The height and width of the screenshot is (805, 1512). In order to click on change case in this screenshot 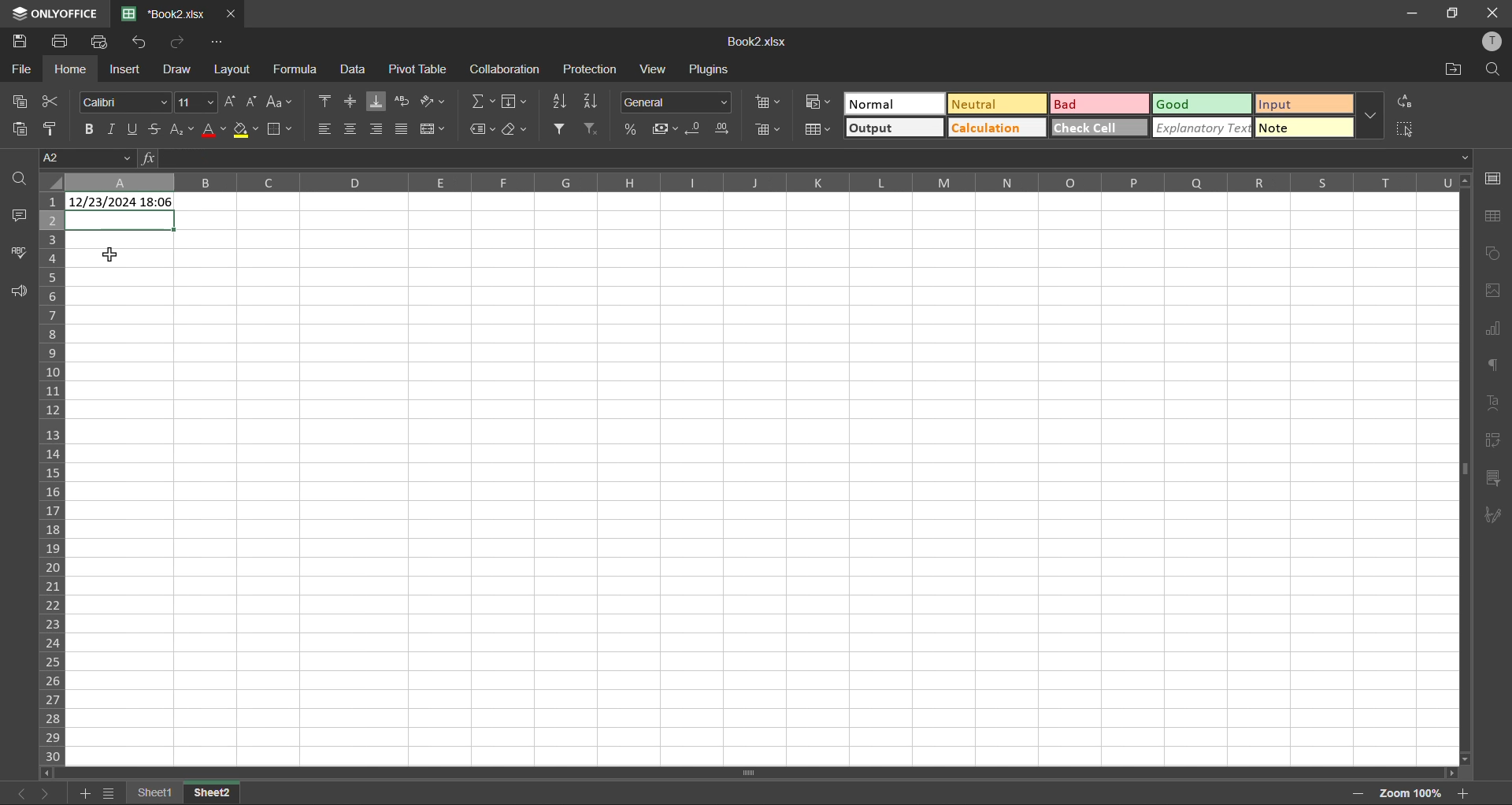, I will do `click(277, 102)`.